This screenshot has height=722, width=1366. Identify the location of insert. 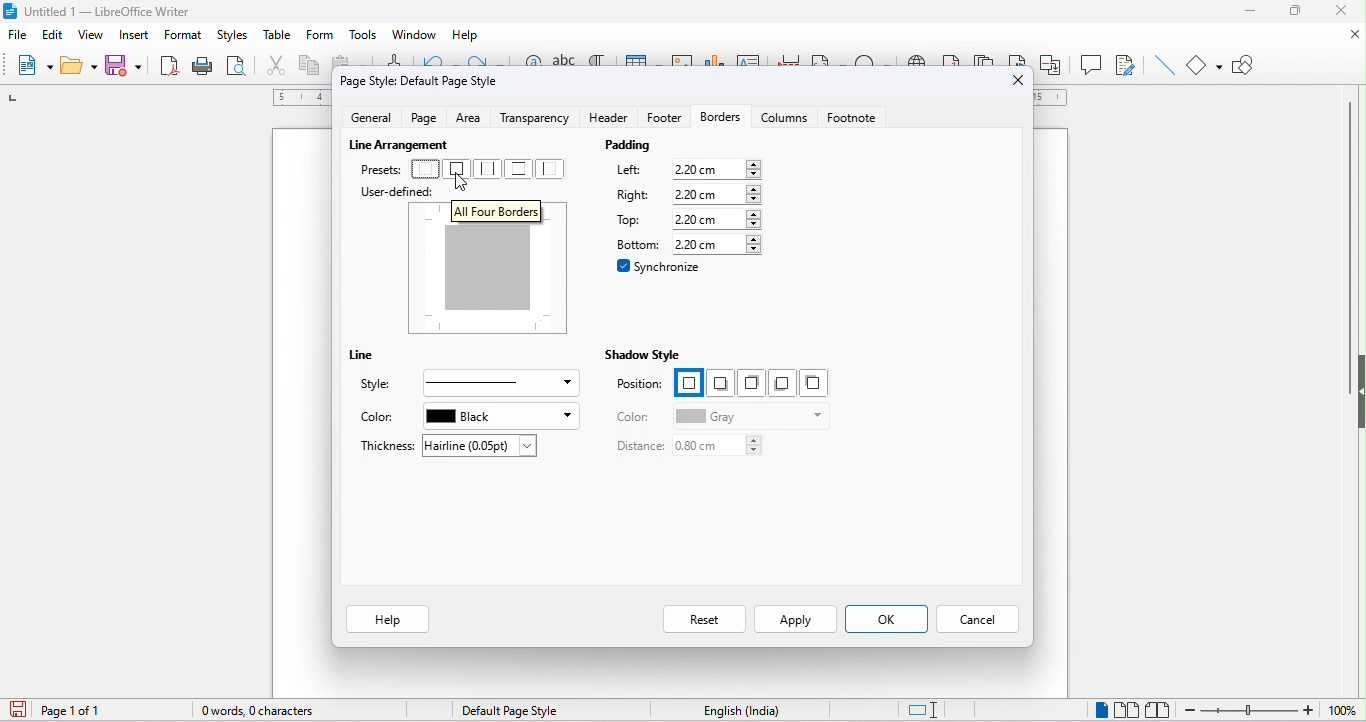
(136, 37).